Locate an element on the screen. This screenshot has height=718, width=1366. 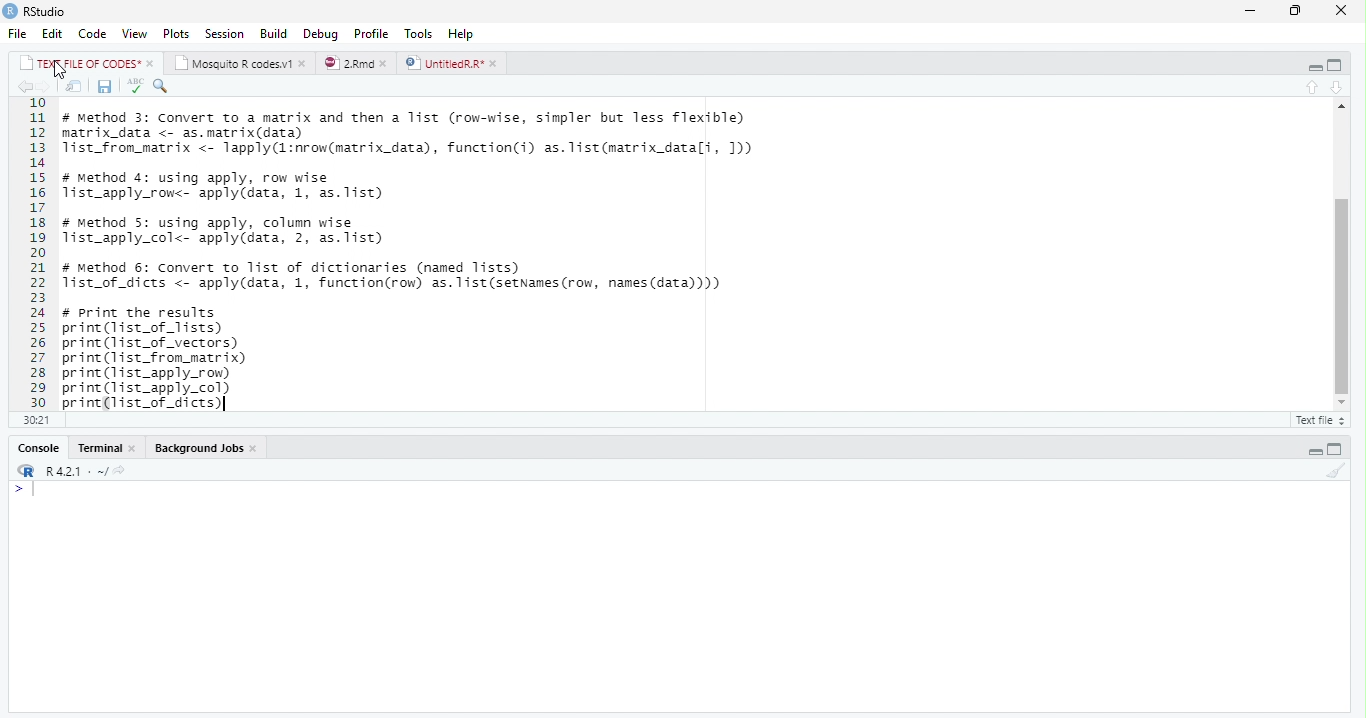
Edit is located at coordinates (54, 33).